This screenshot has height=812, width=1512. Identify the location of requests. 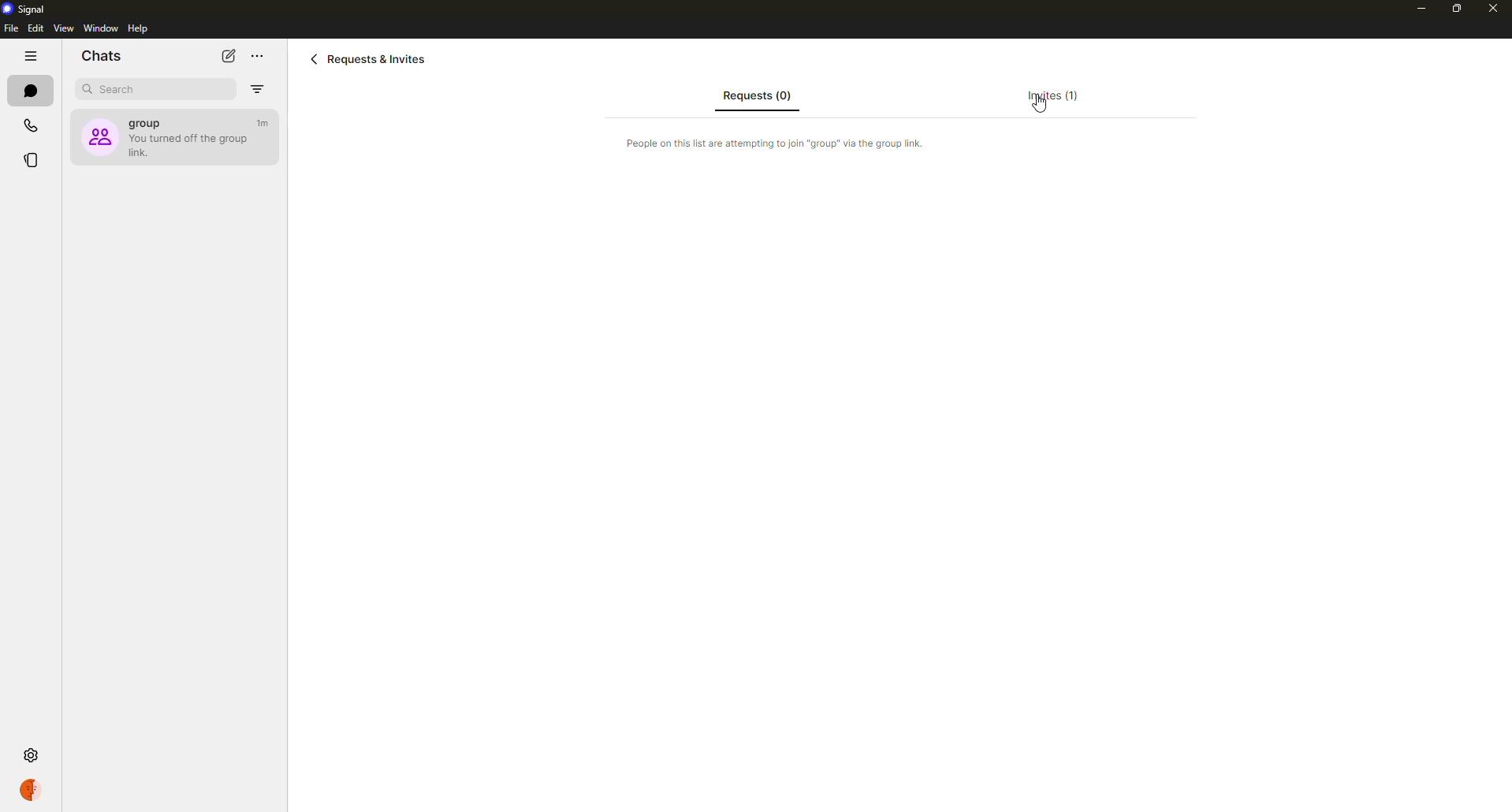
(754, 98).